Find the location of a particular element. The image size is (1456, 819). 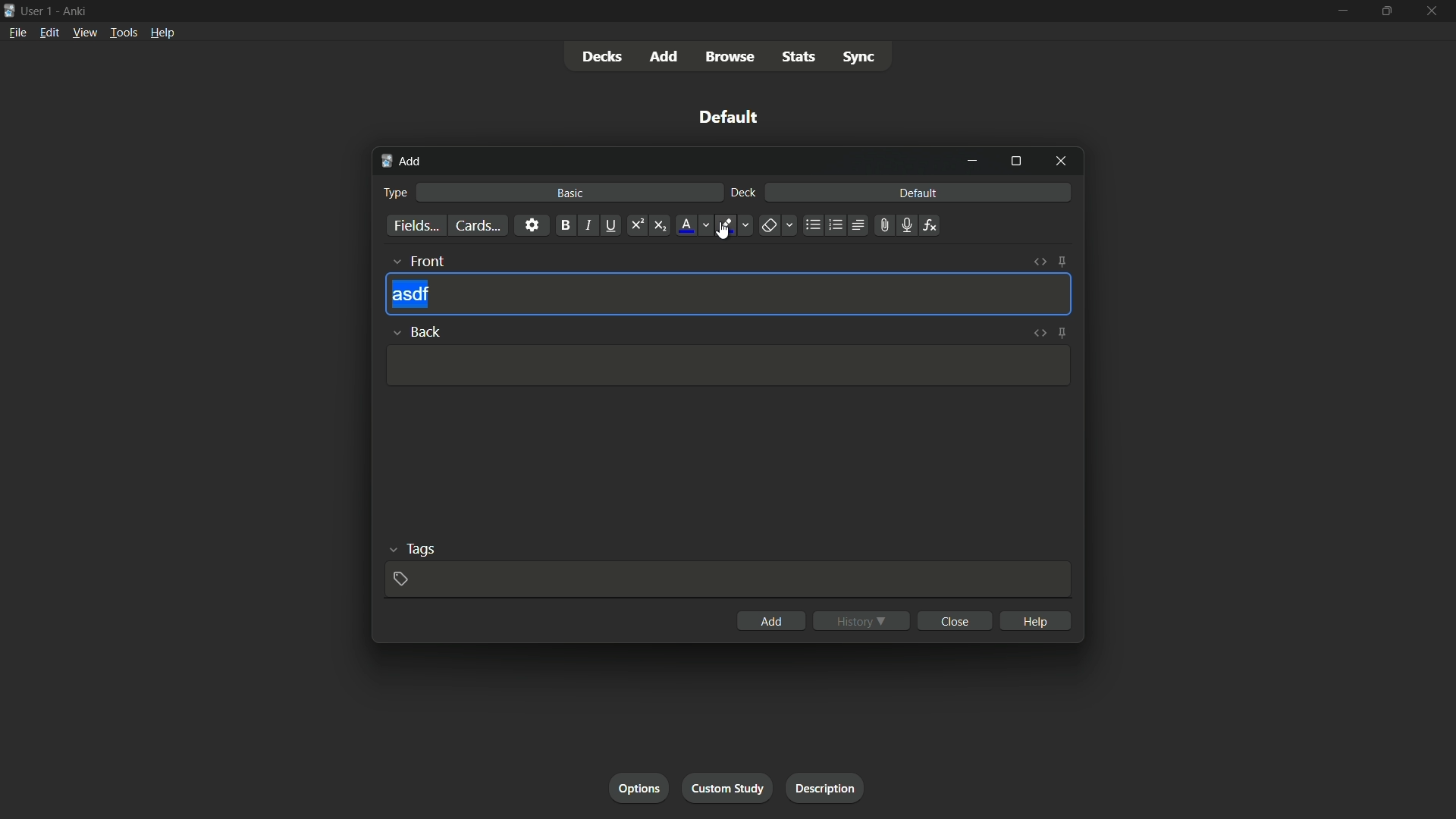

add is located at coordinates (772, 620).